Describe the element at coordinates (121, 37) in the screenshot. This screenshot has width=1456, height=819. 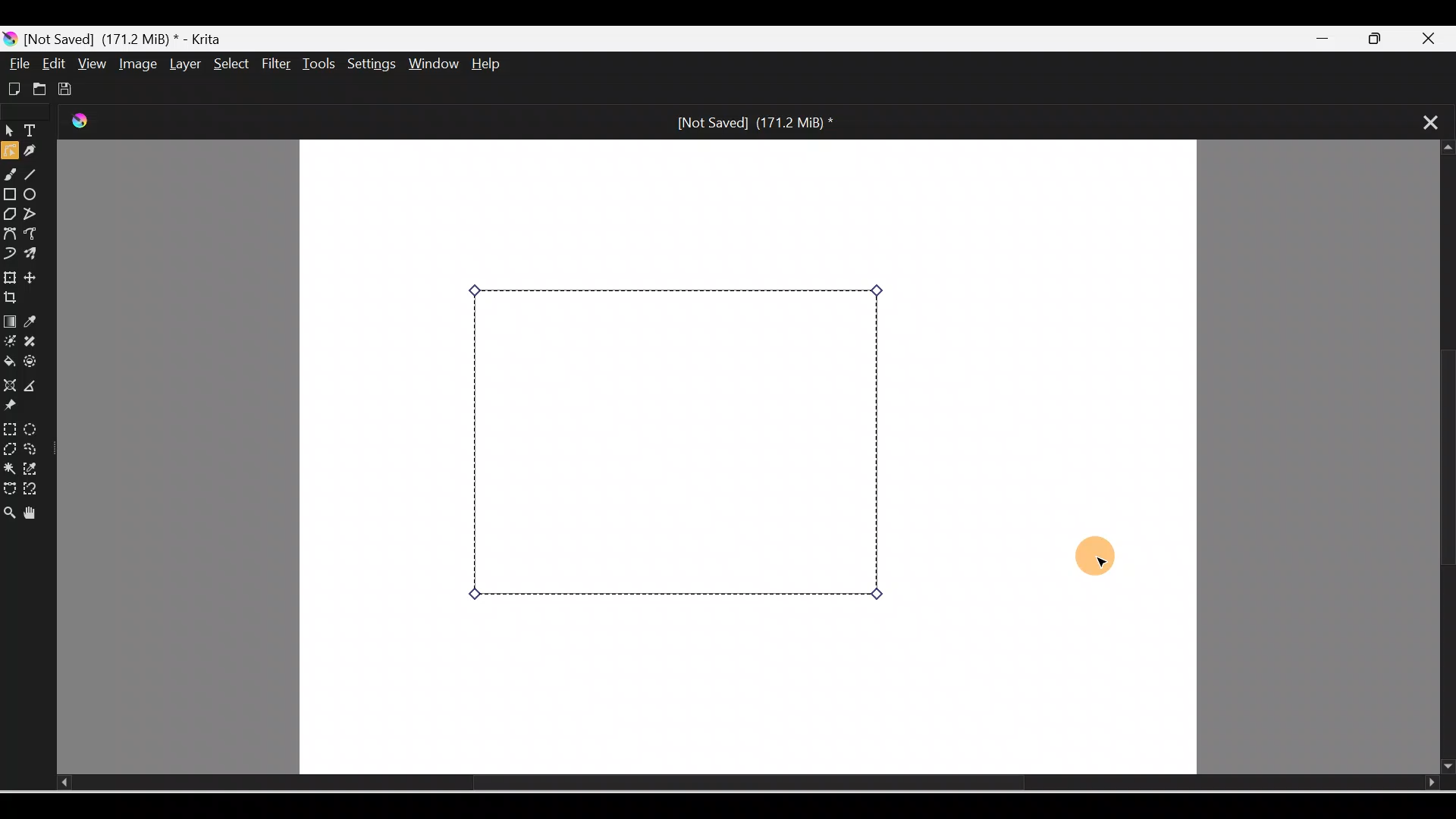
I see `[Not Saved] (171.2 MiB) * - Krita` at that location.